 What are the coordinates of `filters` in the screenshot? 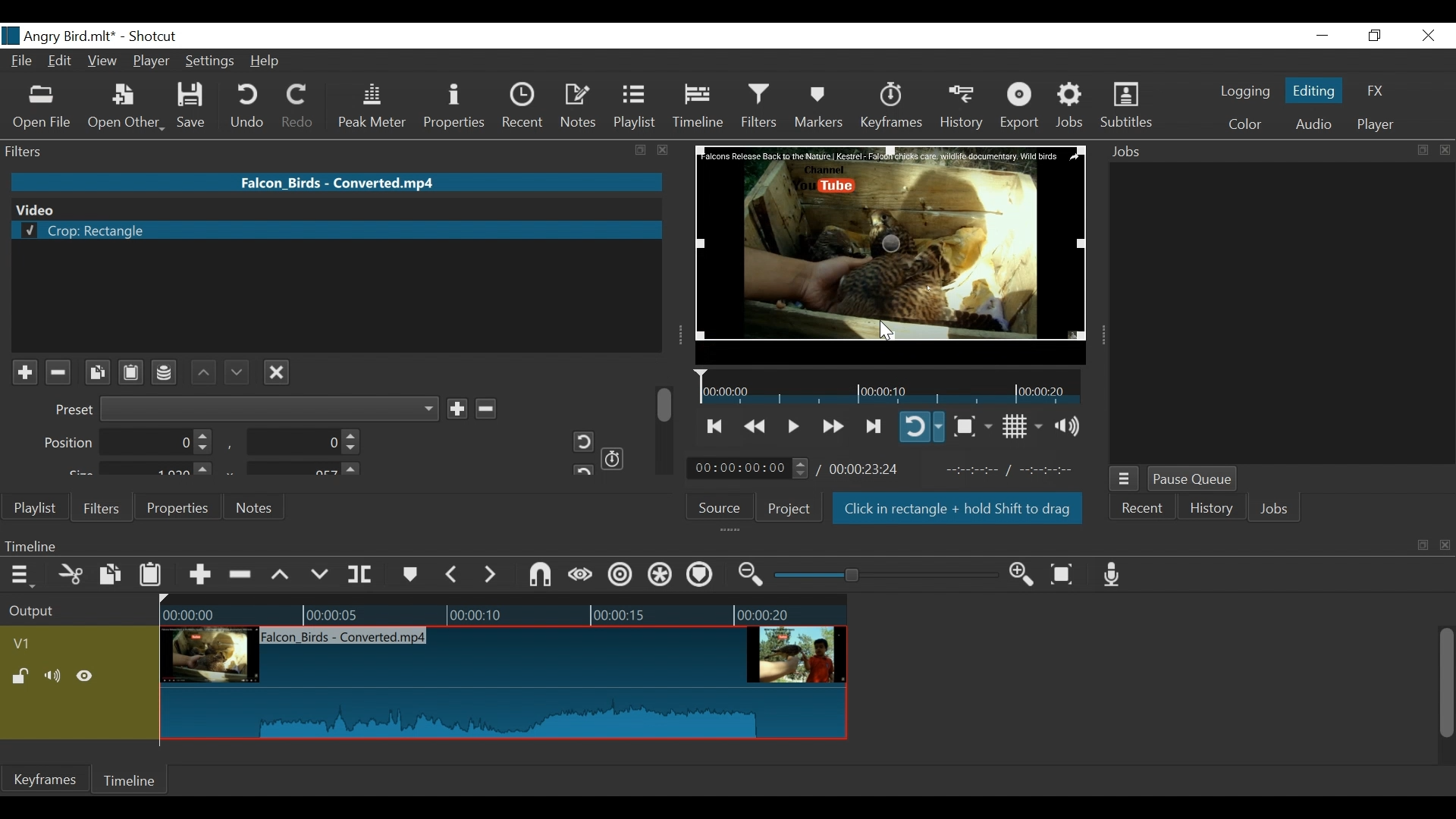 It's located at (308, 150).